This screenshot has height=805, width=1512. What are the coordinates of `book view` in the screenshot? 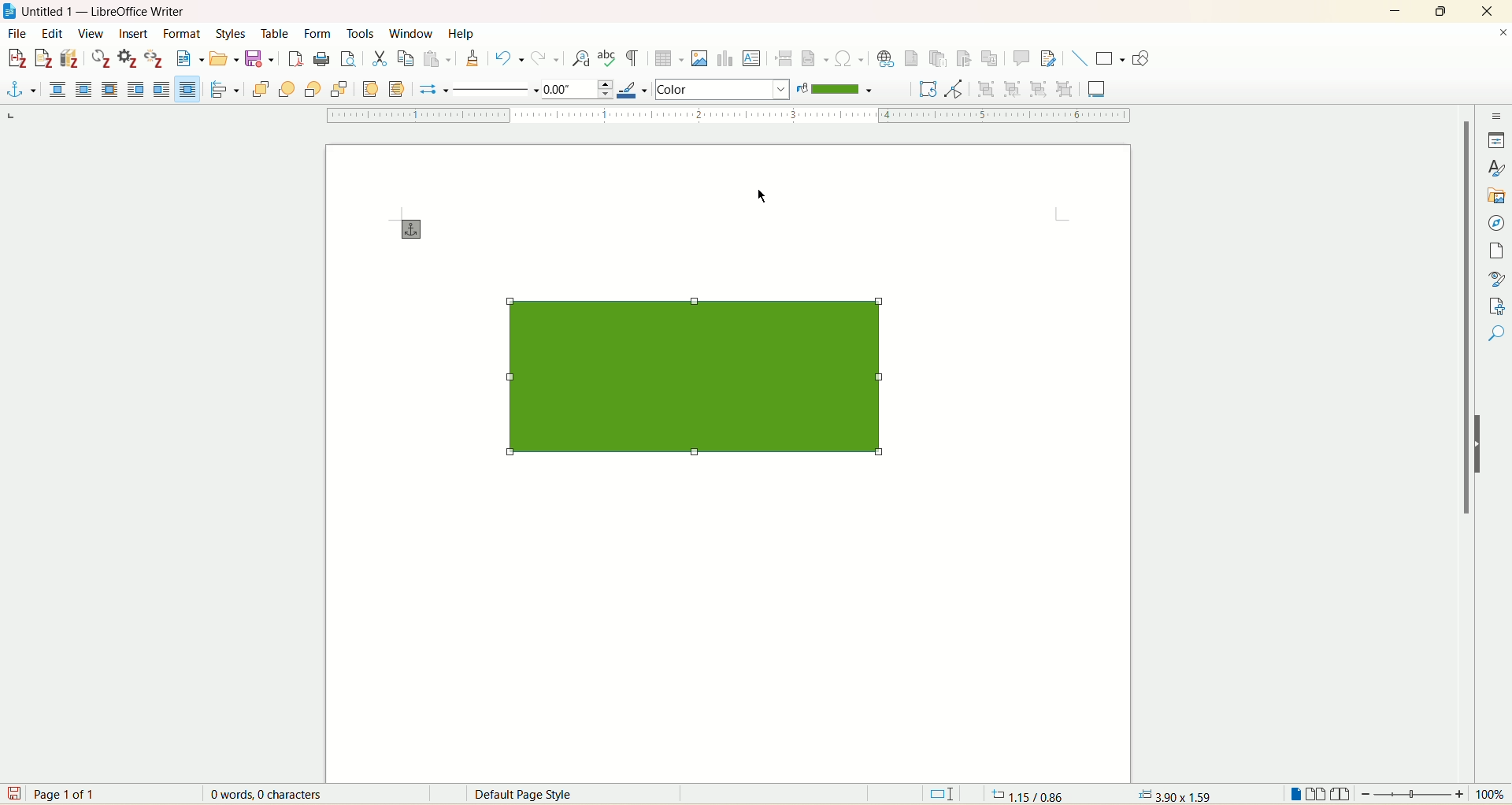 It's located at (1343, 796).